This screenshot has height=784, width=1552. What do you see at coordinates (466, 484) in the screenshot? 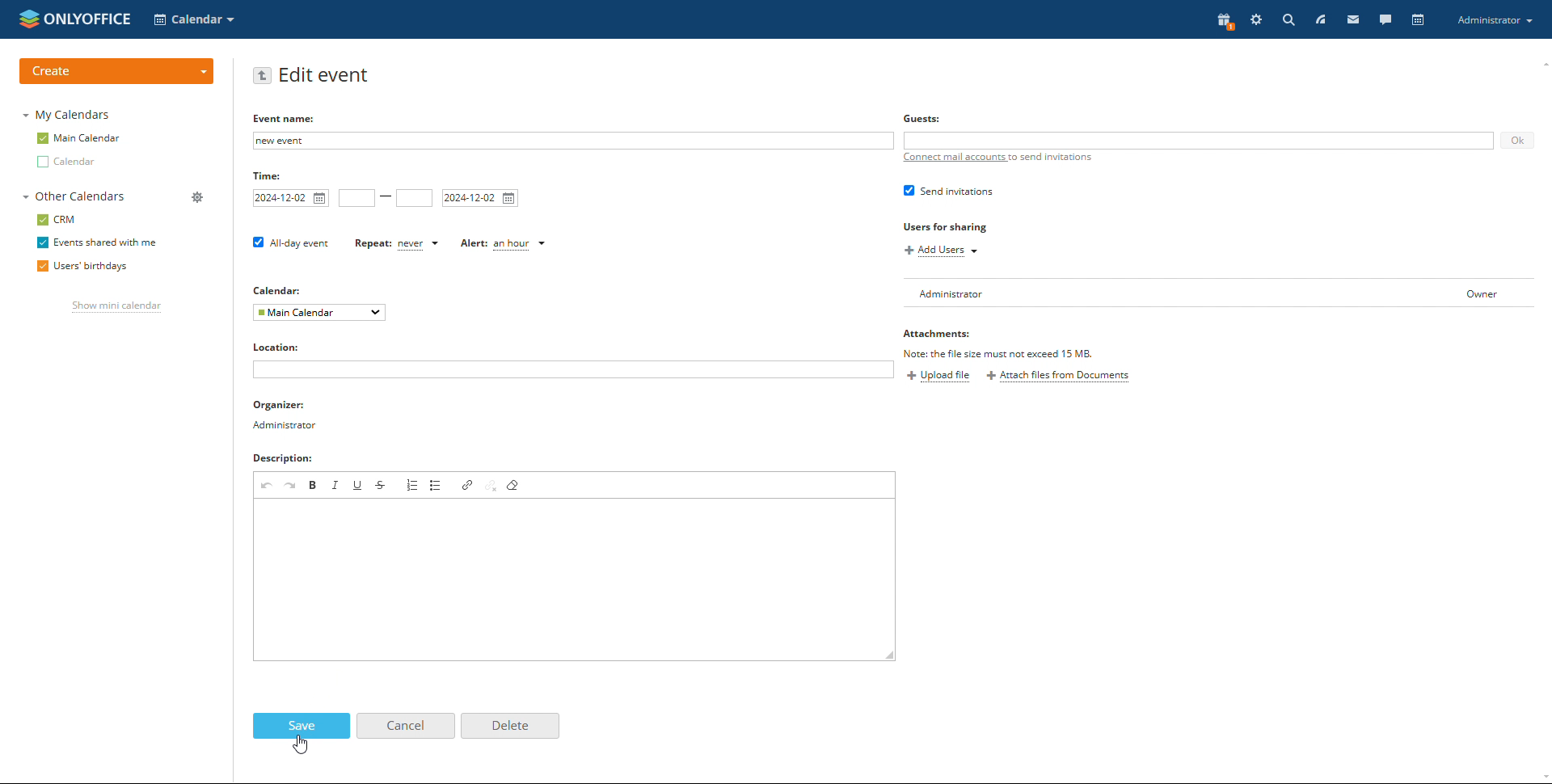
I see `link` at bounding box center [466, 484].